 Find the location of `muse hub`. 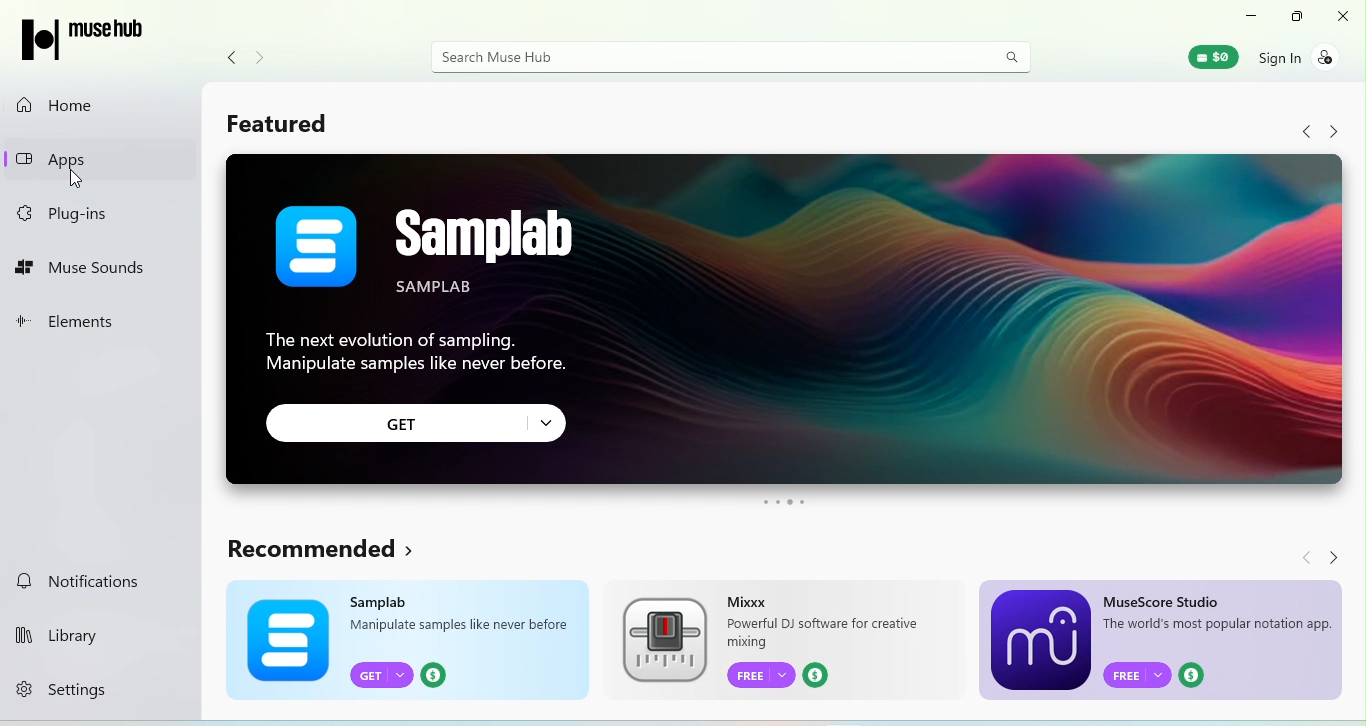

muse hub is located at coordinates (92, 39).